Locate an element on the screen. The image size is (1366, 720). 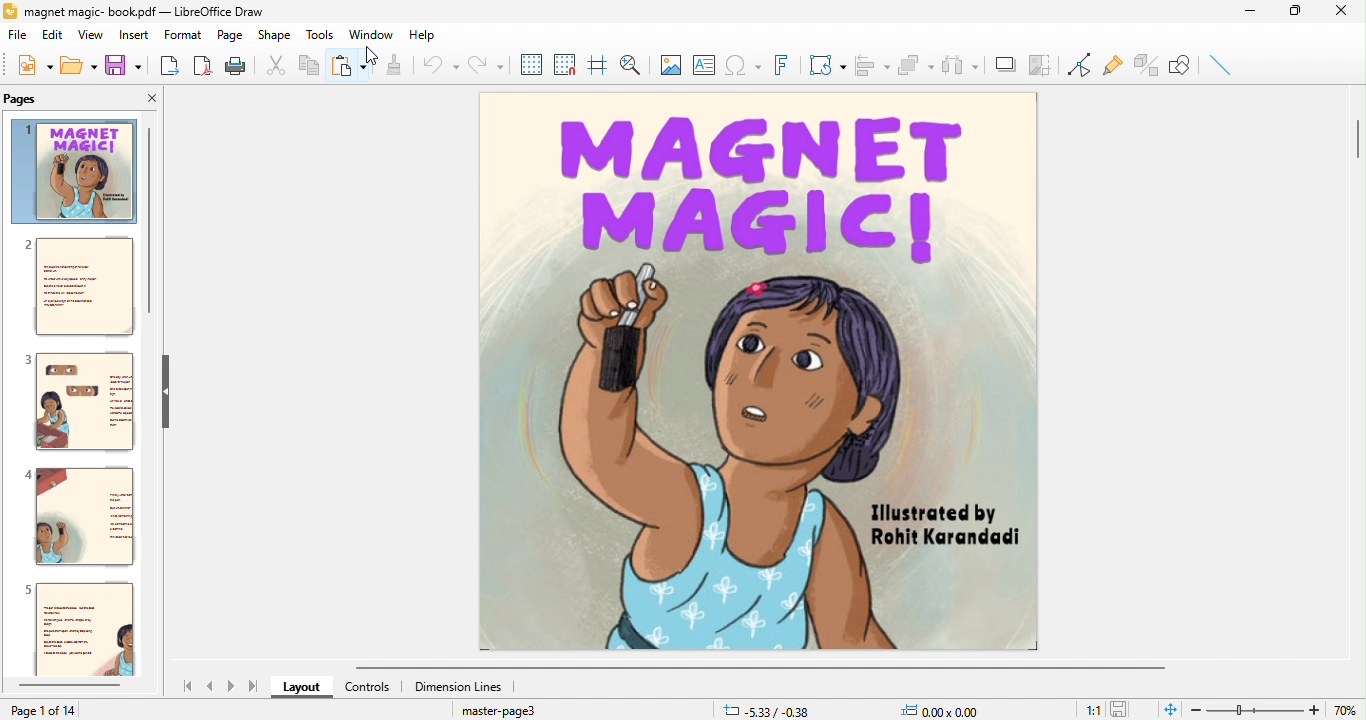
layout is located at coordinates (302, 686).